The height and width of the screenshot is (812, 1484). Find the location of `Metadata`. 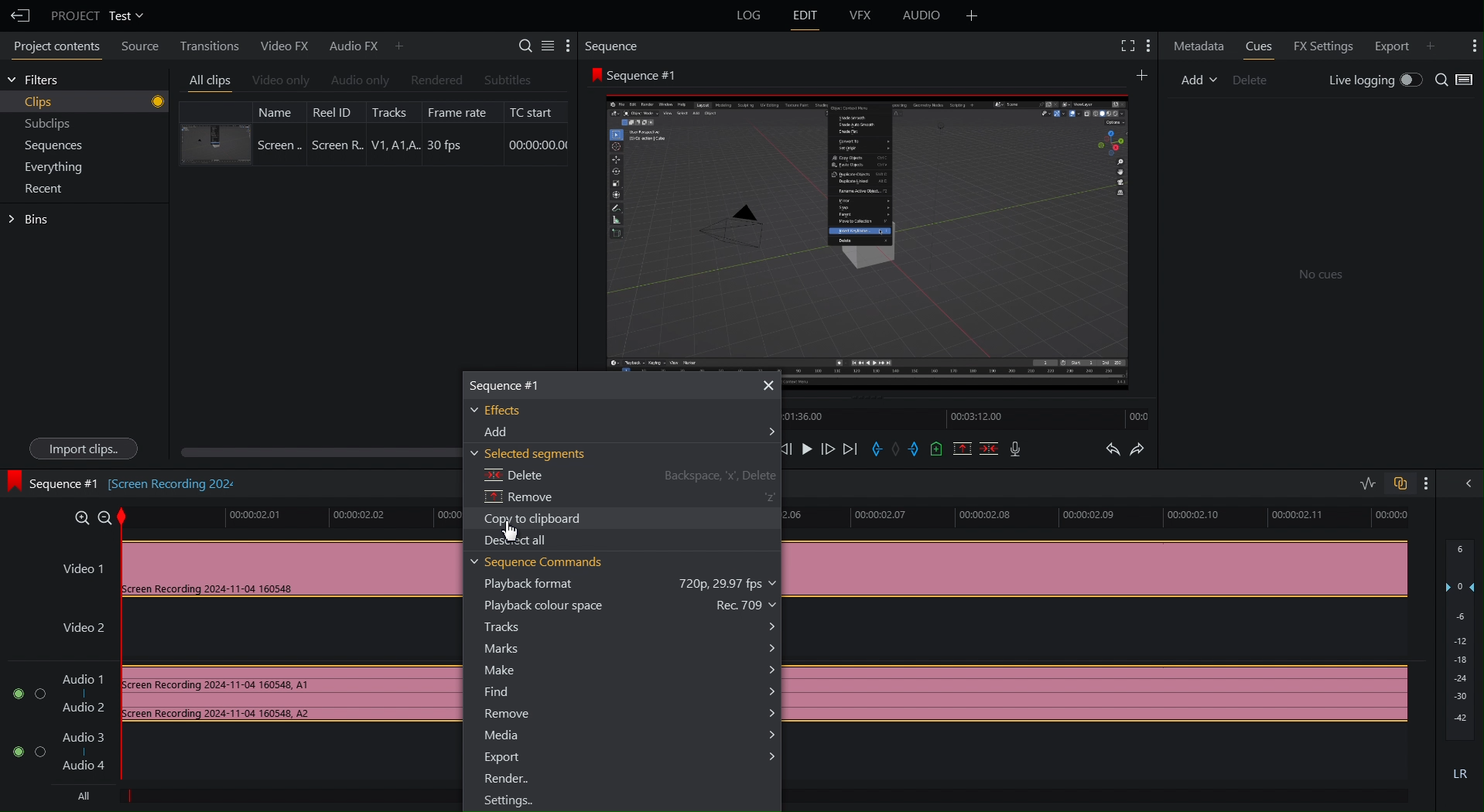

Metadata is located at coordinates (1197, 46).